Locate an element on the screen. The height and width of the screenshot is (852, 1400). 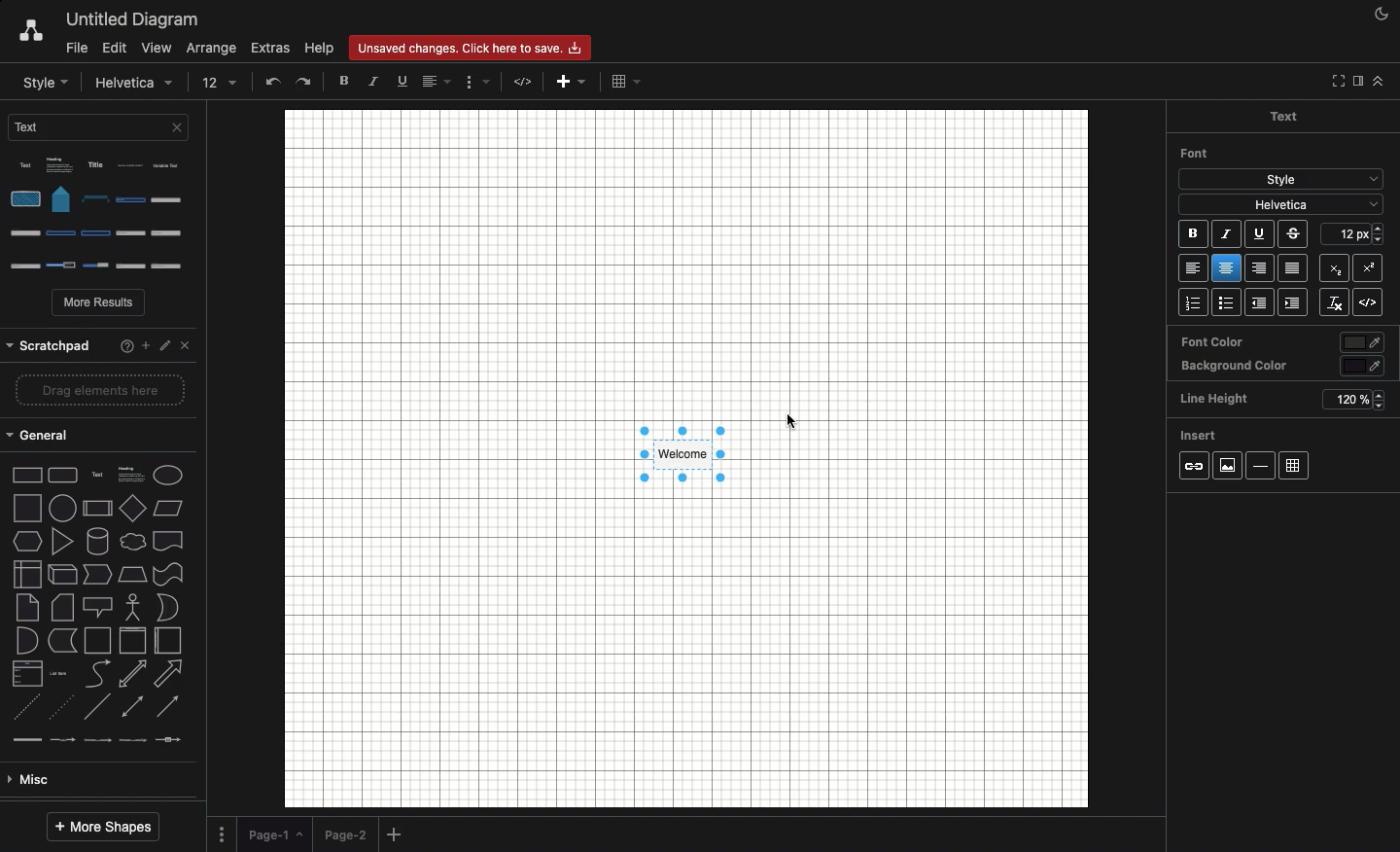
Text is located at coordinates (1297, 118).